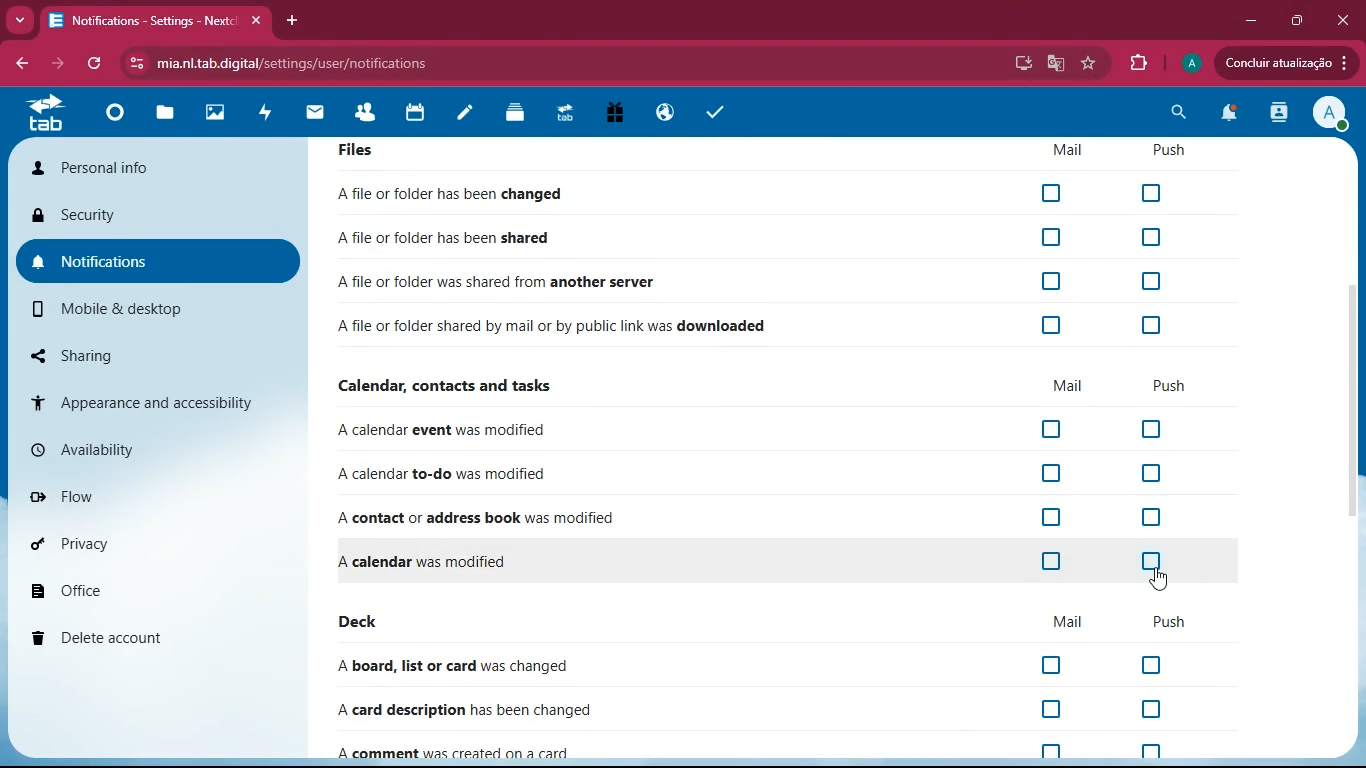 This screenshot has width=1366, height=768. Describe the element at coordinates (149, 213) in the screenshot. I see `security` at that location.